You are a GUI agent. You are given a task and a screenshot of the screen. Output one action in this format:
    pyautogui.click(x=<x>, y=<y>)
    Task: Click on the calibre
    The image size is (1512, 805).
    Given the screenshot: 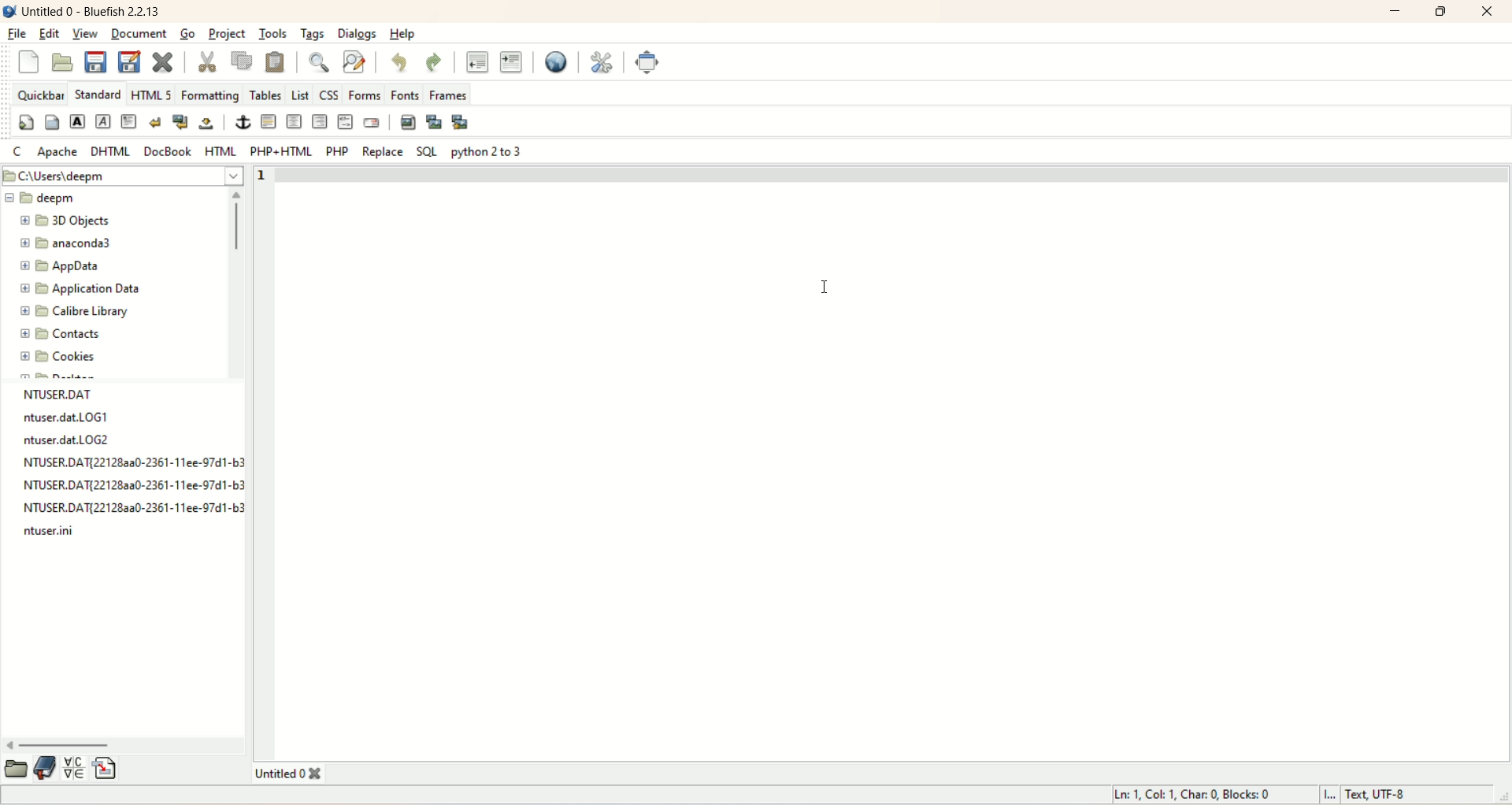 What is the action you would take?
    pyautogui.click(x=72, y=313)
    